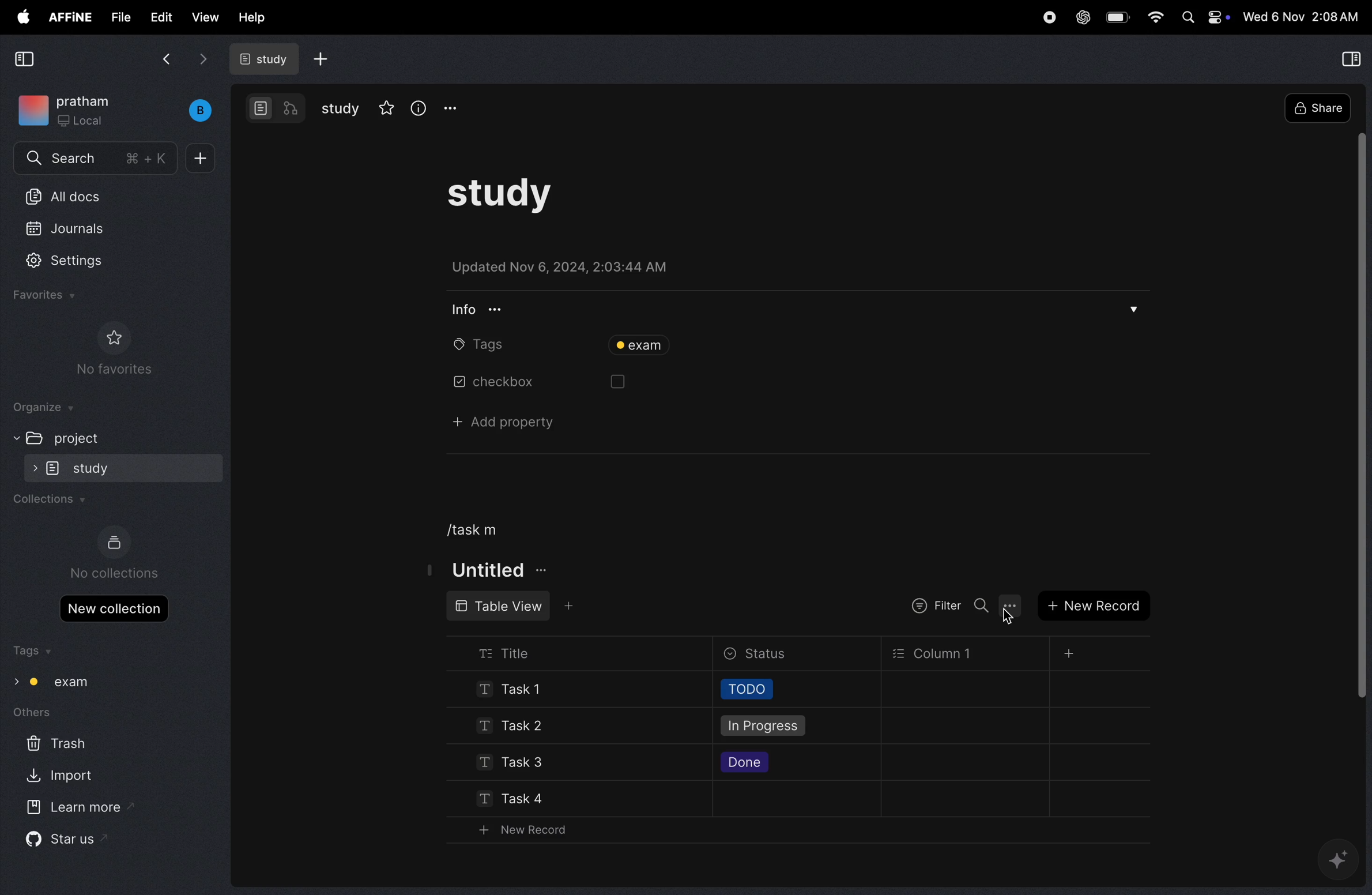  Describe the element at coordinates (1094, 604) in the screenshot. I see `new record` at that location.